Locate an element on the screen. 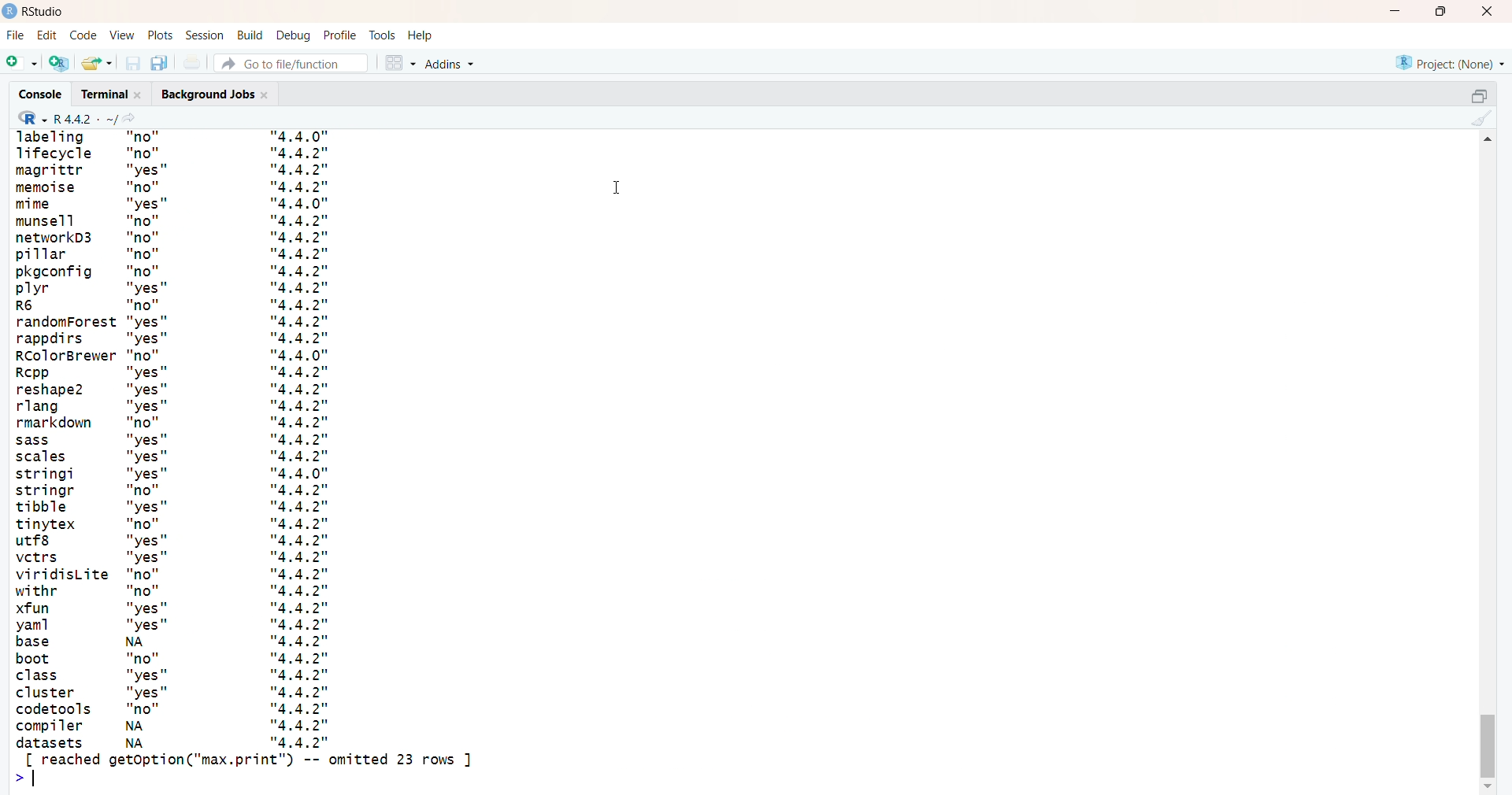  console is located at coordinates (39, 96).